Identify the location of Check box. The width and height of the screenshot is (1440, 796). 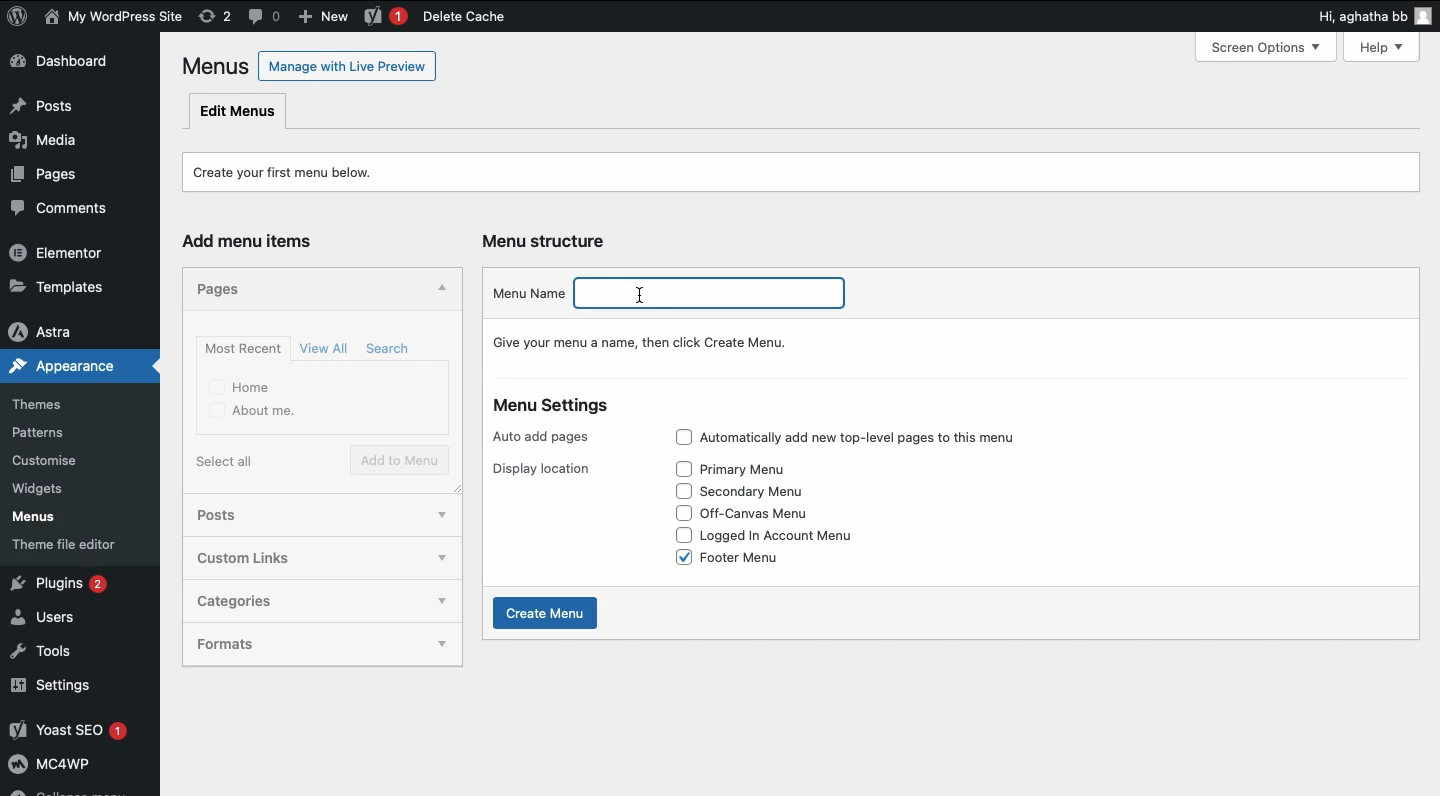
(683, 513).